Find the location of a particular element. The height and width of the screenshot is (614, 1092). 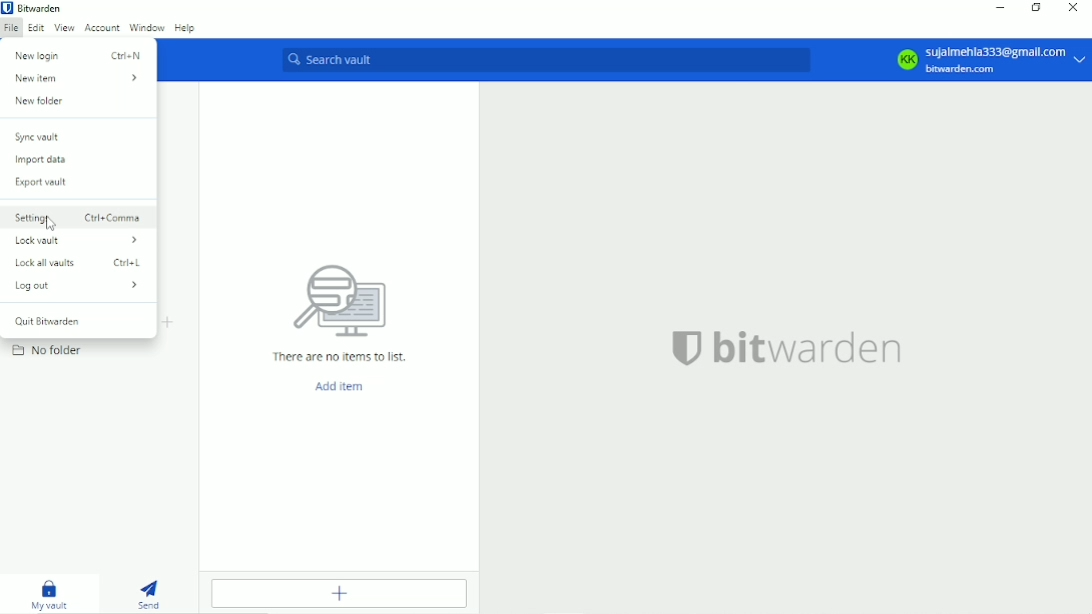

New folder is located at coordinates (53, 102).